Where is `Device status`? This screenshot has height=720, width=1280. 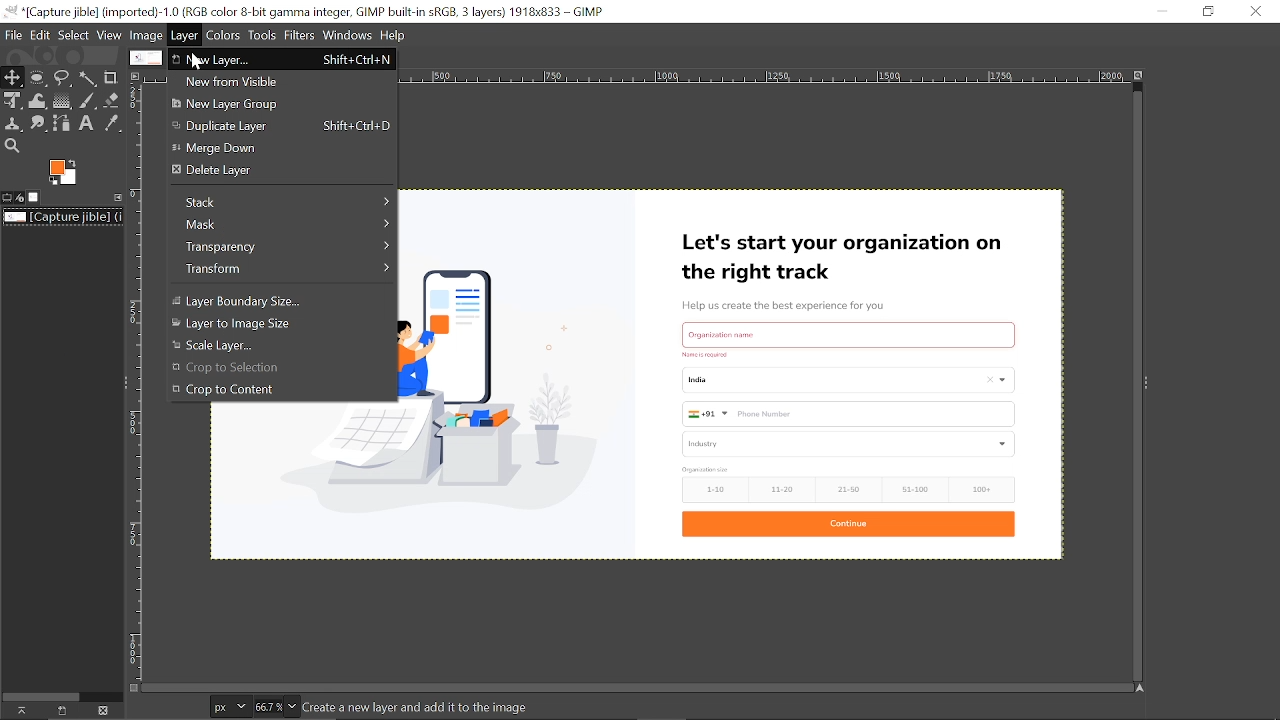
Device status is located at coordinates (20, 198).